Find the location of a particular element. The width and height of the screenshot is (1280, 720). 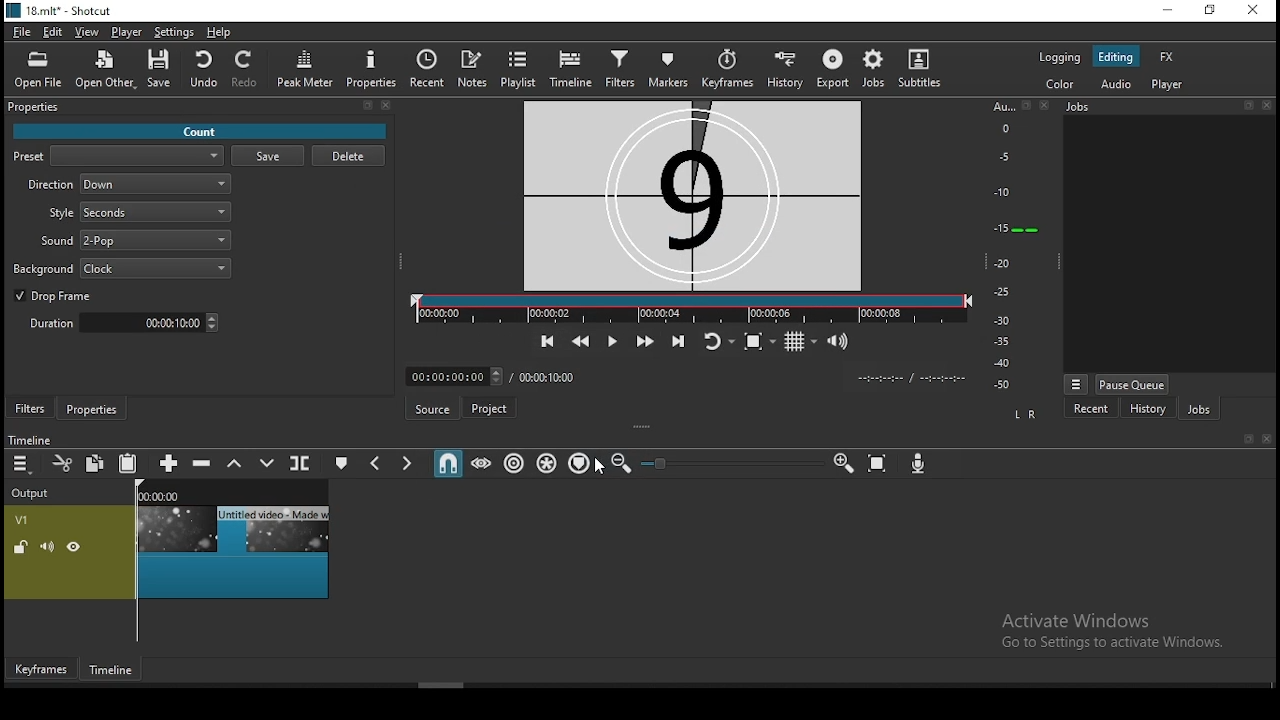

toggle zoom is located at coordinates (755, 342).